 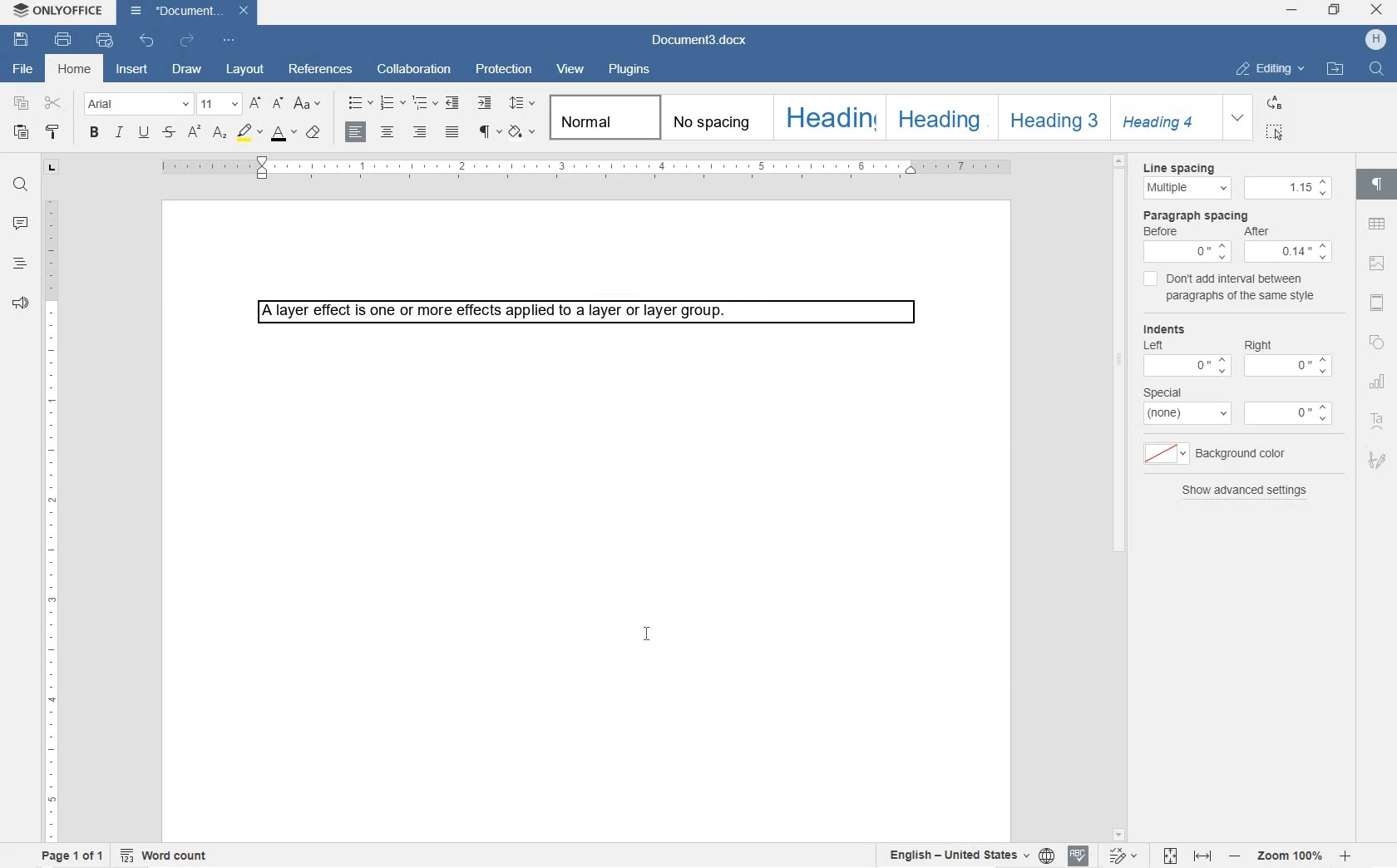 I want to click on ITALIC, so click(x=119, y=133).